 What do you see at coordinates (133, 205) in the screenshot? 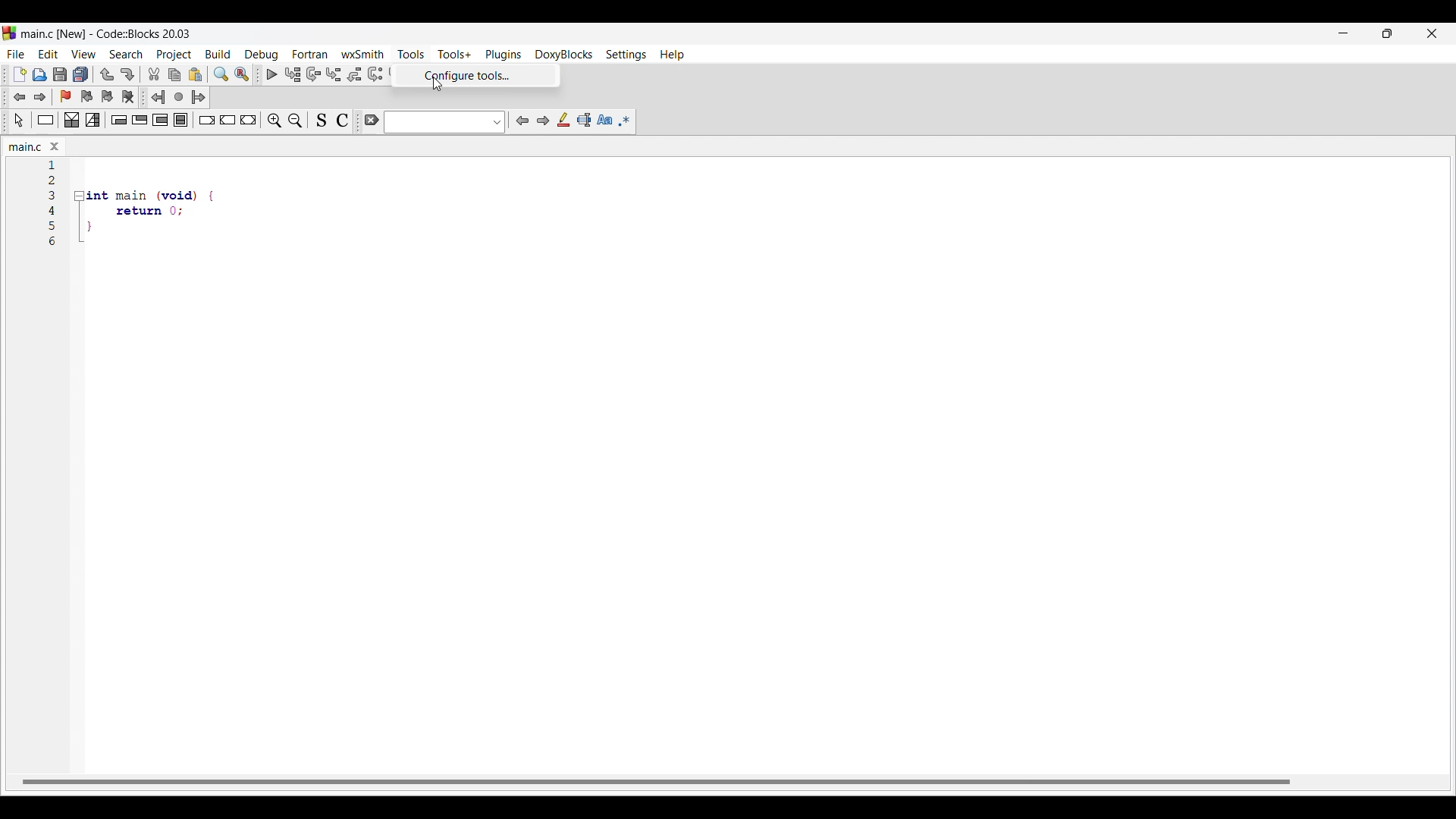
I see `Current code` at bounding box center [133, 205].